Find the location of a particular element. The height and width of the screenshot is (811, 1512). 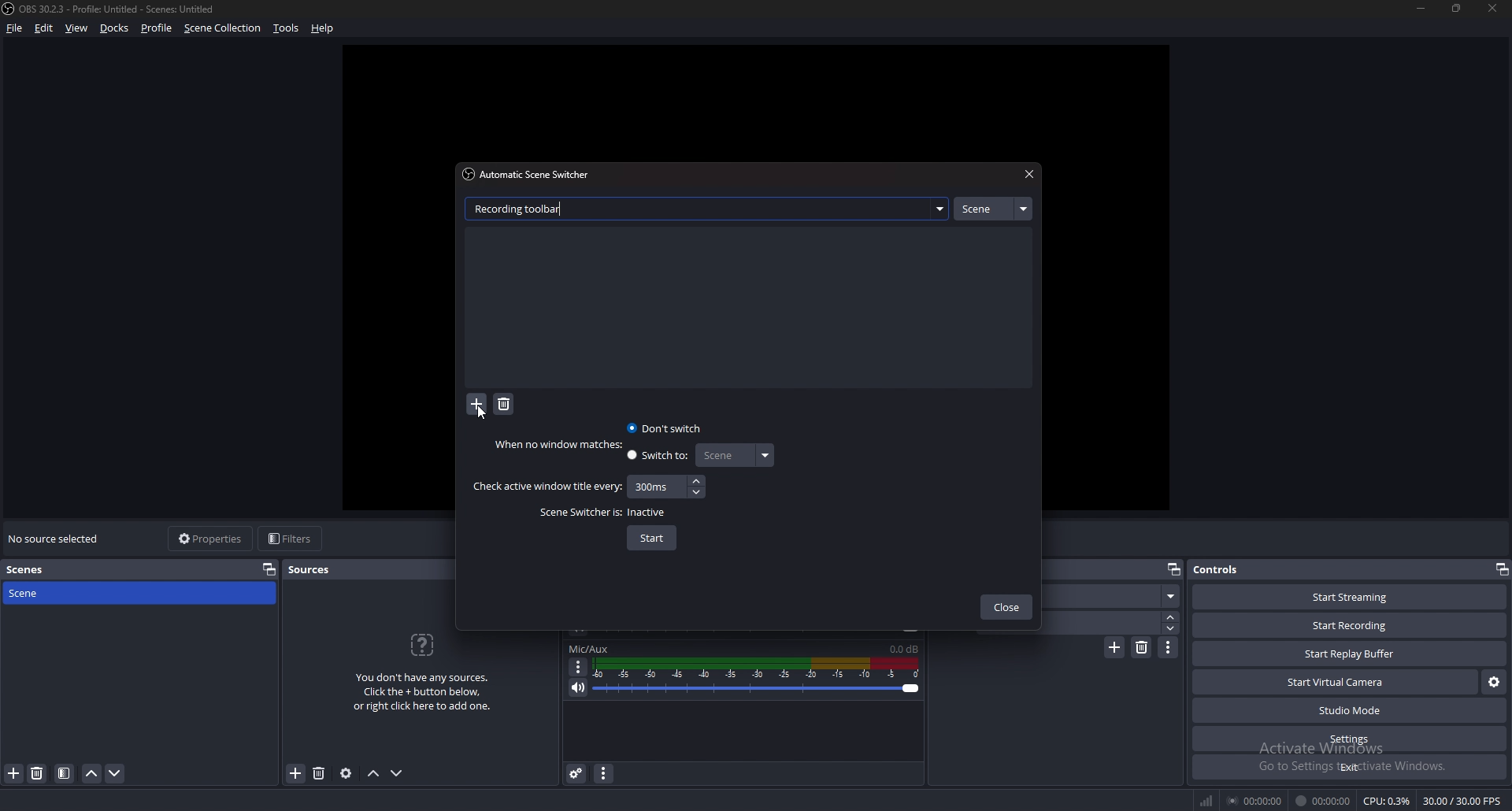

fps is located at coordinates (1464, 801).